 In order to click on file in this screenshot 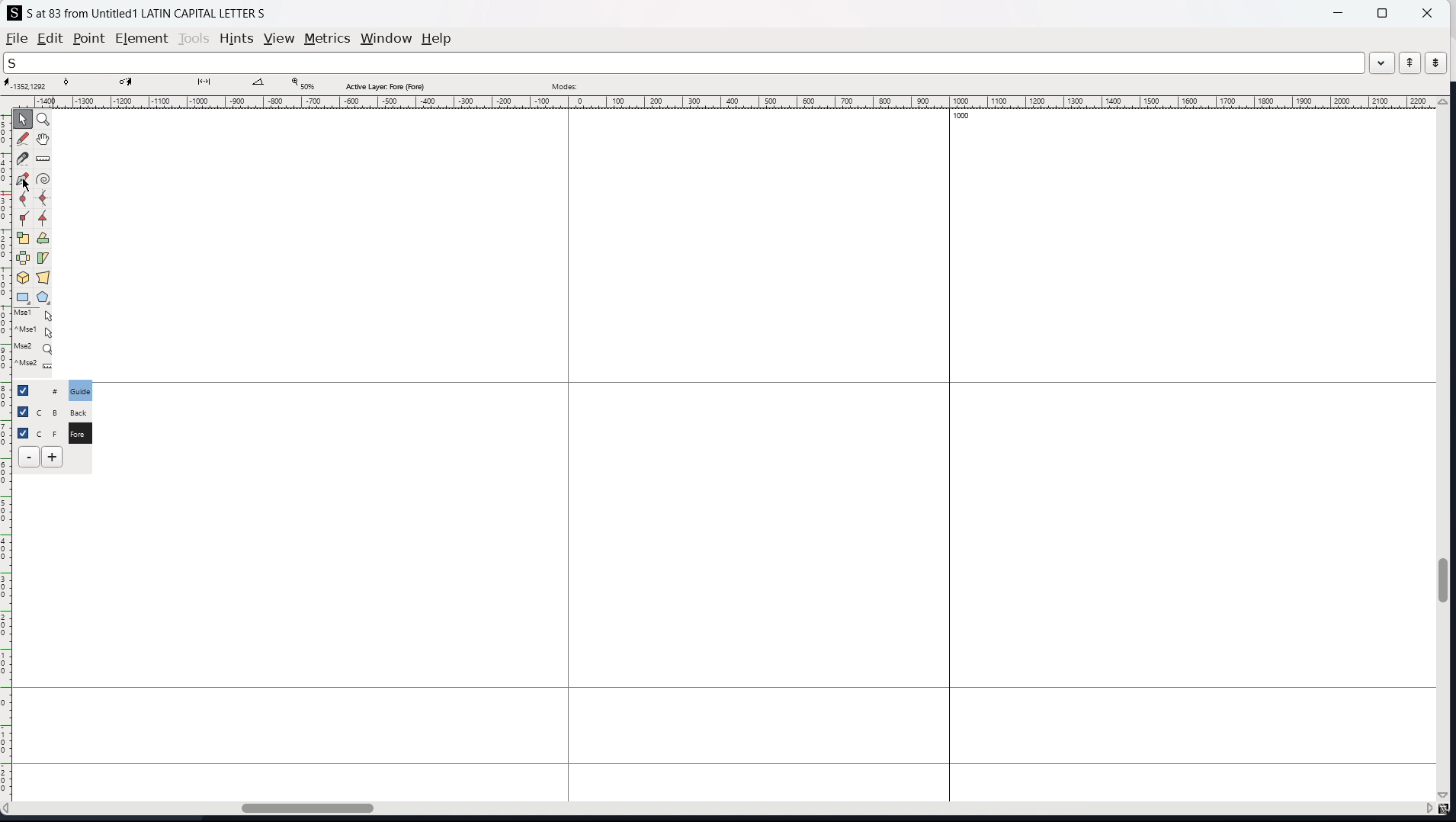, I will do `click(17, 38)`.